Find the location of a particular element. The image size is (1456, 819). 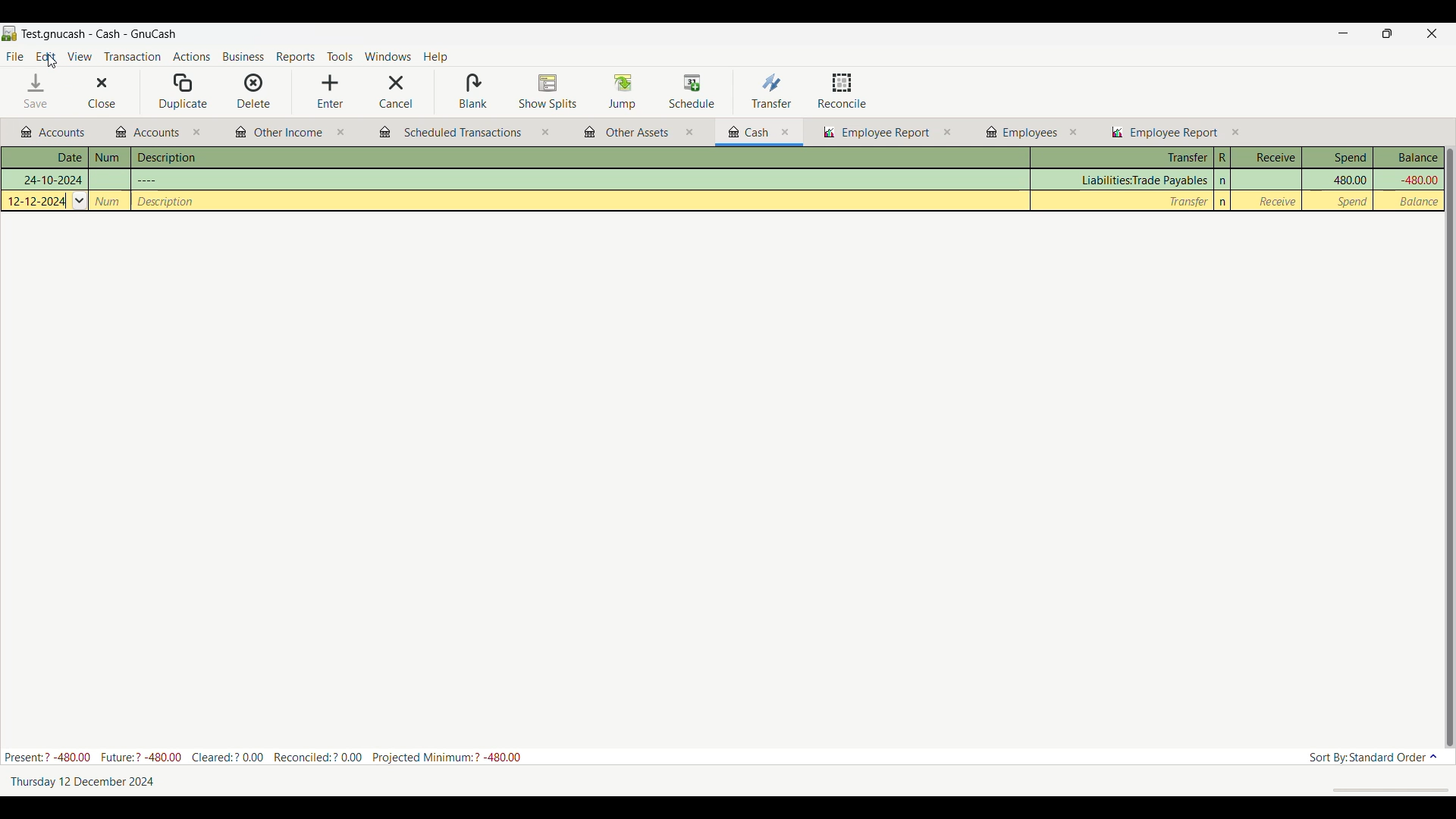

close is located at coordinates (785, 132).